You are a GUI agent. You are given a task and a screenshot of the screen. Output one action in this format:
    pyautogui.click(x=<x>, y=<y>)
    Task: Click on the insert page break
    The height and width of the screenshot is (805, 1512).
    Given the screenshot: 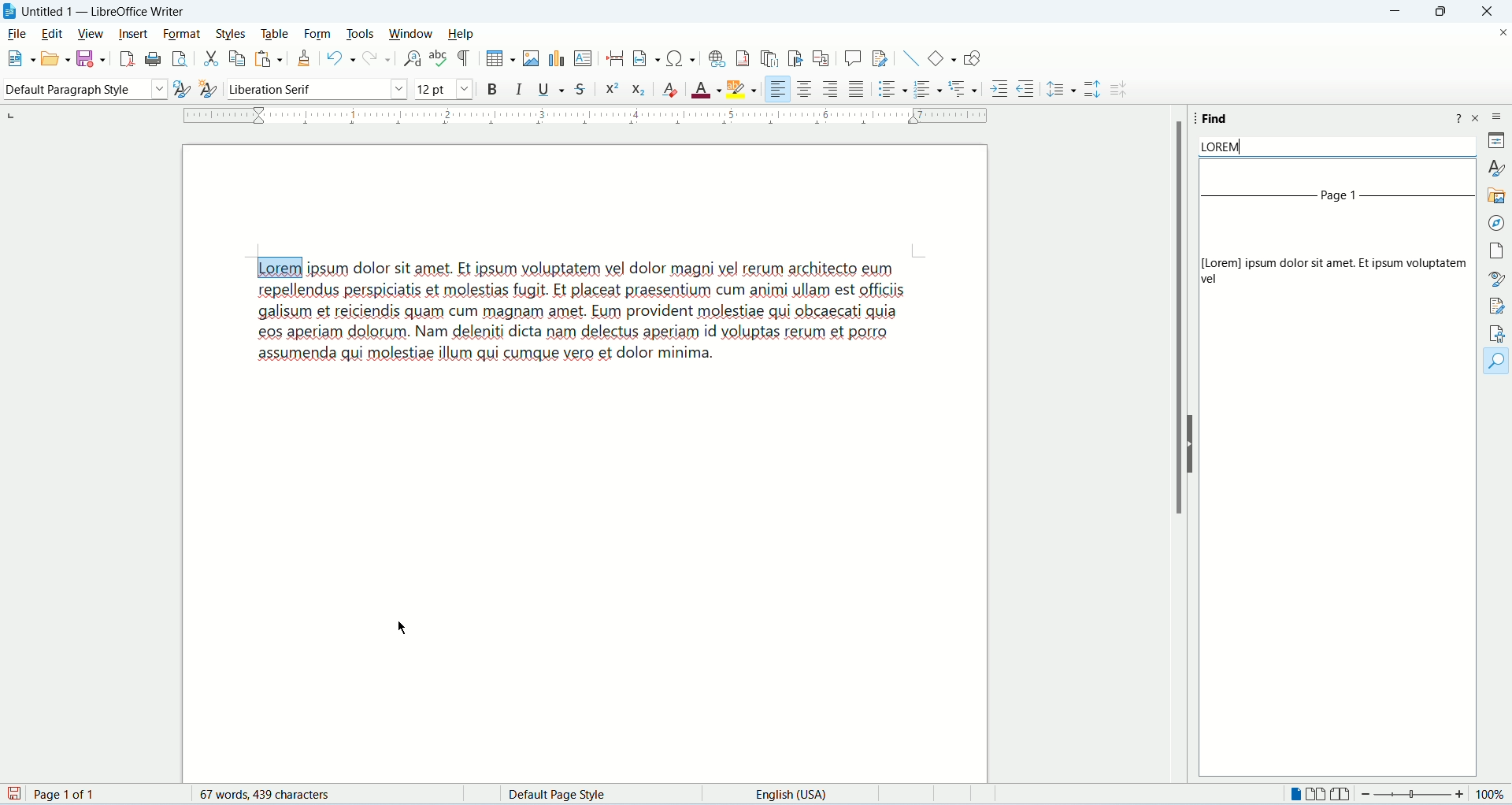 What is the action you would take?
    pyautogui.click(x=613, y=58)
    